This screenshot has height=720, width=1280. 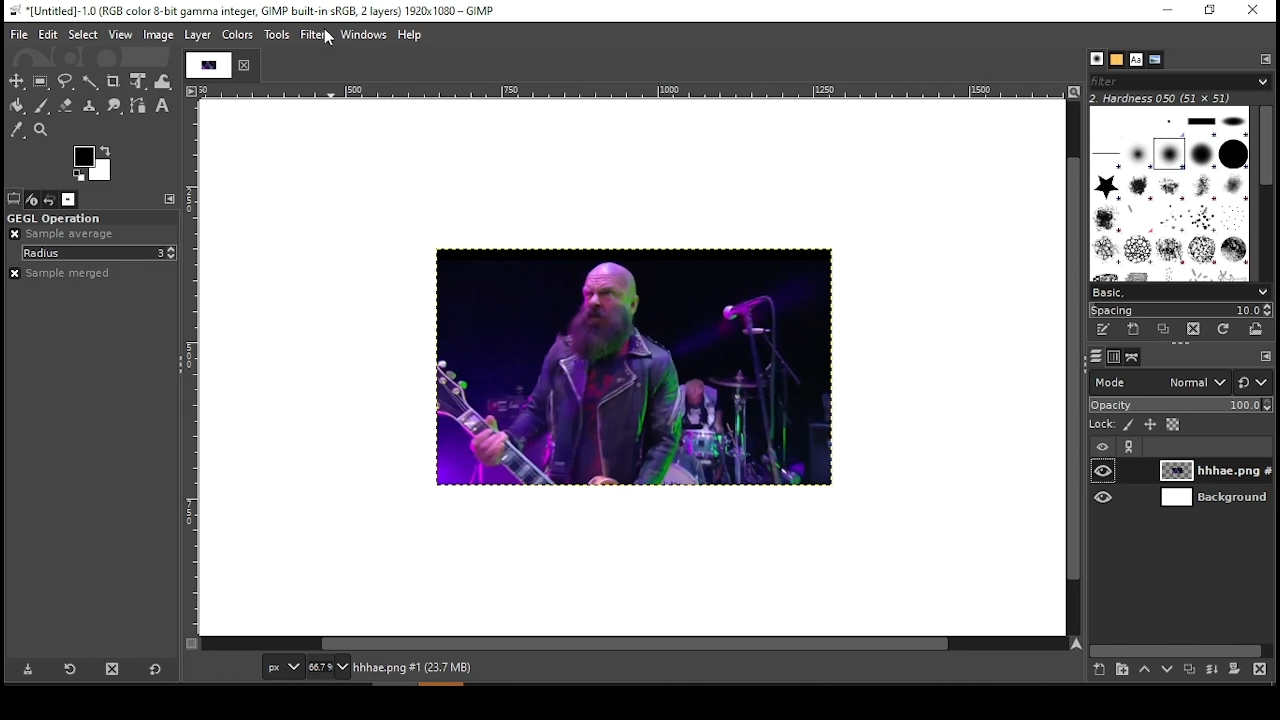 What do you see at coordinates (1192, 670) in the screenshot?
I see `duplicate layer` at bounding box center [1192, 670].